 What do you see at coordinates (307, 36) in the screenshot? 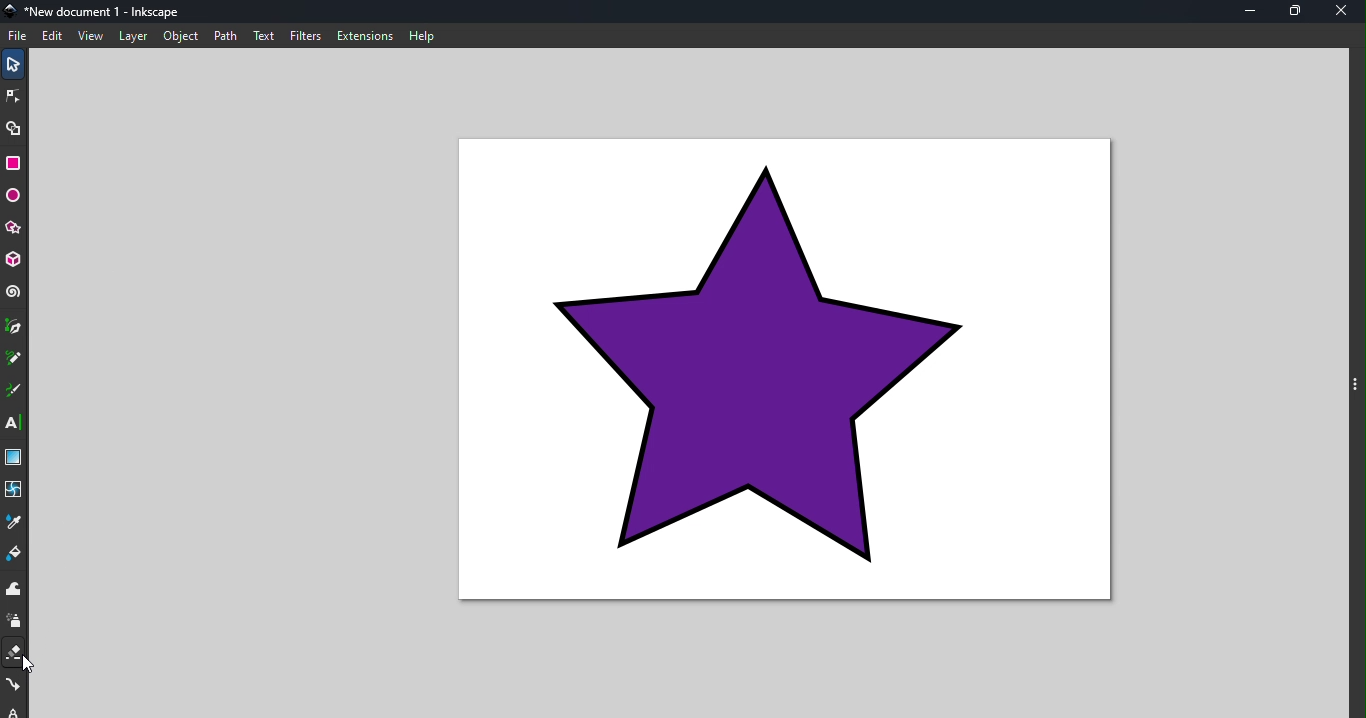
I see `filters` at bounding box center [307, 36].